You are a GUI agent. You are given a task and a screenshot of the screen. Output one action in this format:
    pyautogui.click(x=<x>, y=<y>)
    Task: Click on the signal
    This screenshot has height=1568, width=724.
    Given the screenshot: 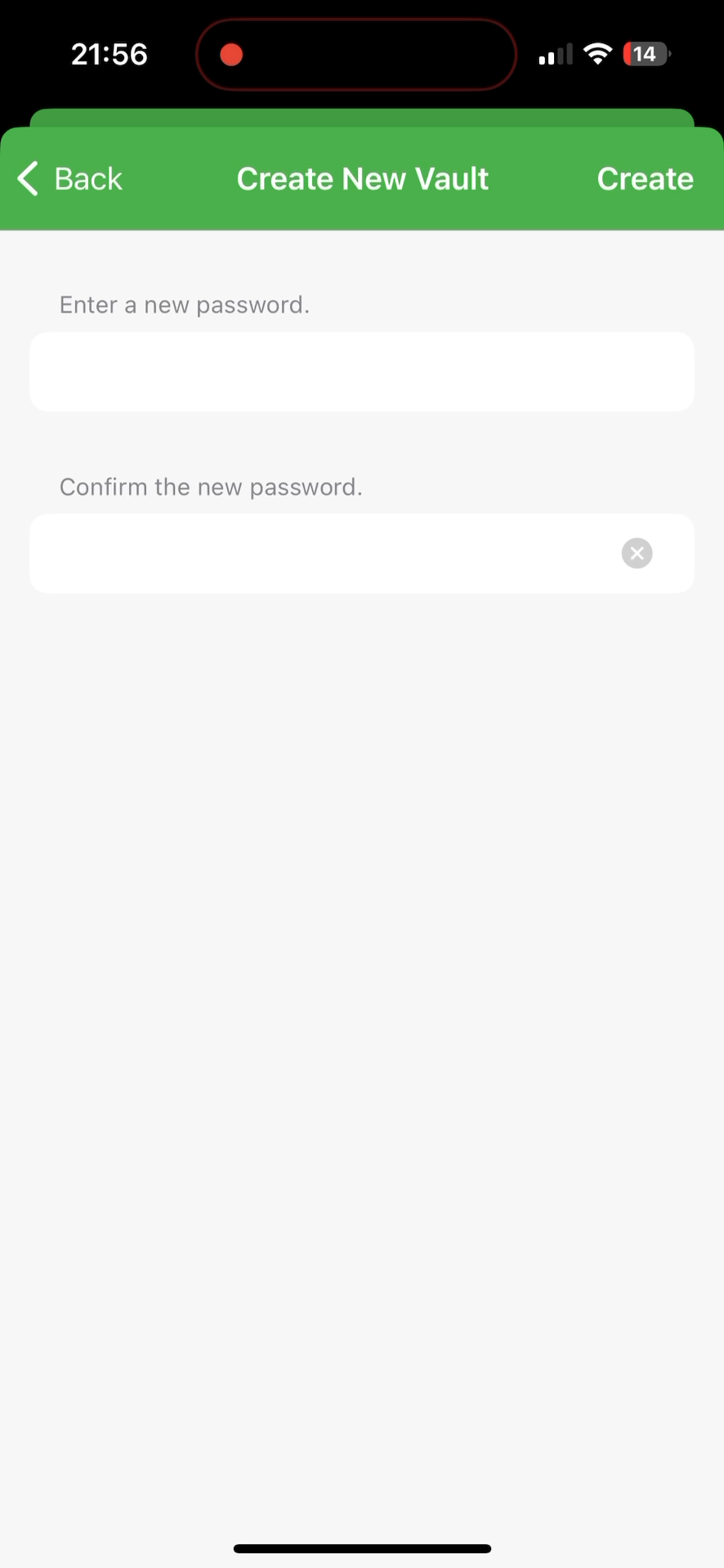 What is the action you would take?
    pyautogui.click(x=553, y=55)
    